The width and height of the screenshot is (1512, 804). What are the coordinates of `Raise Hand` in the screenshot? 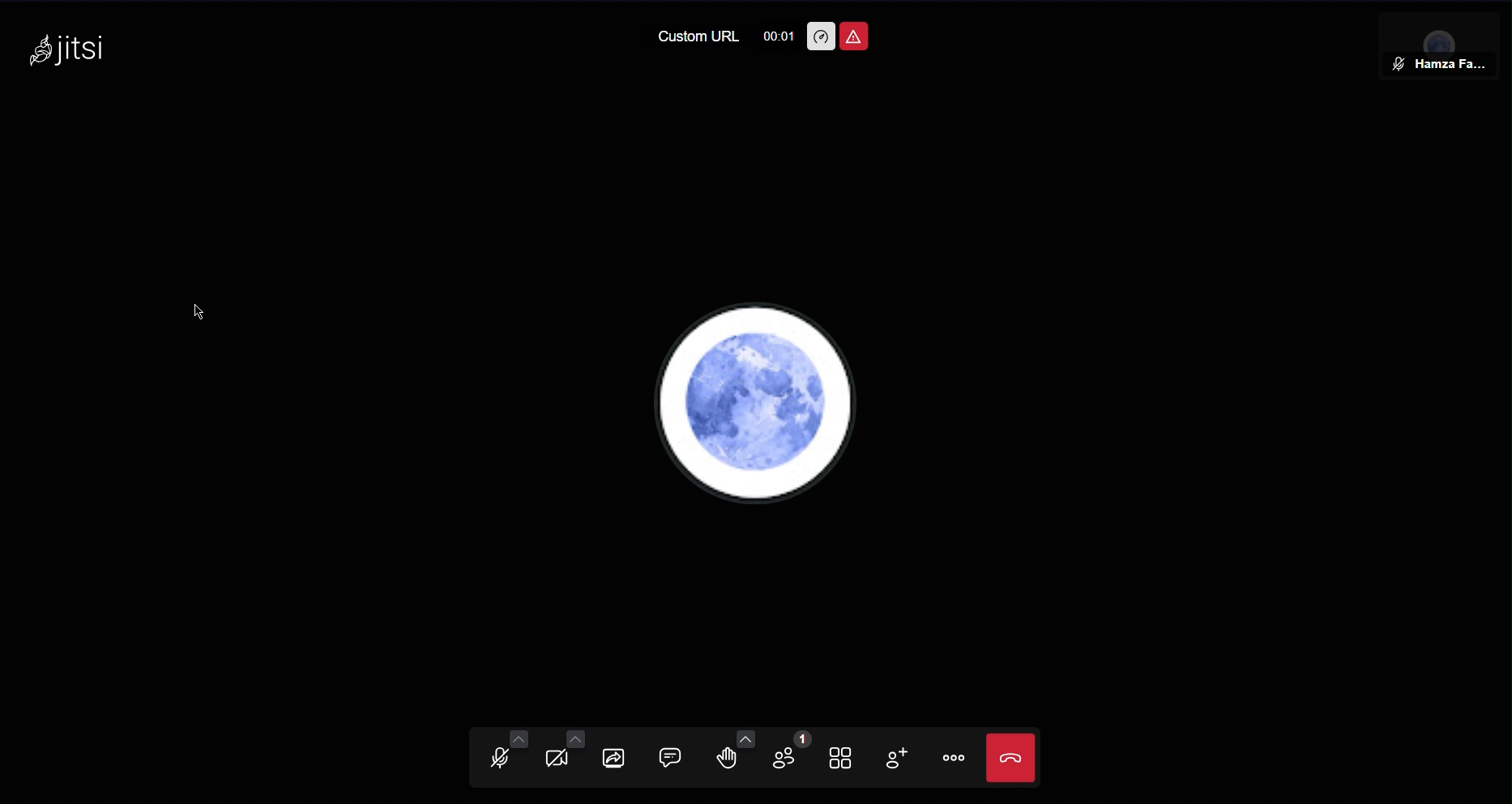 It's located at (736, 759).